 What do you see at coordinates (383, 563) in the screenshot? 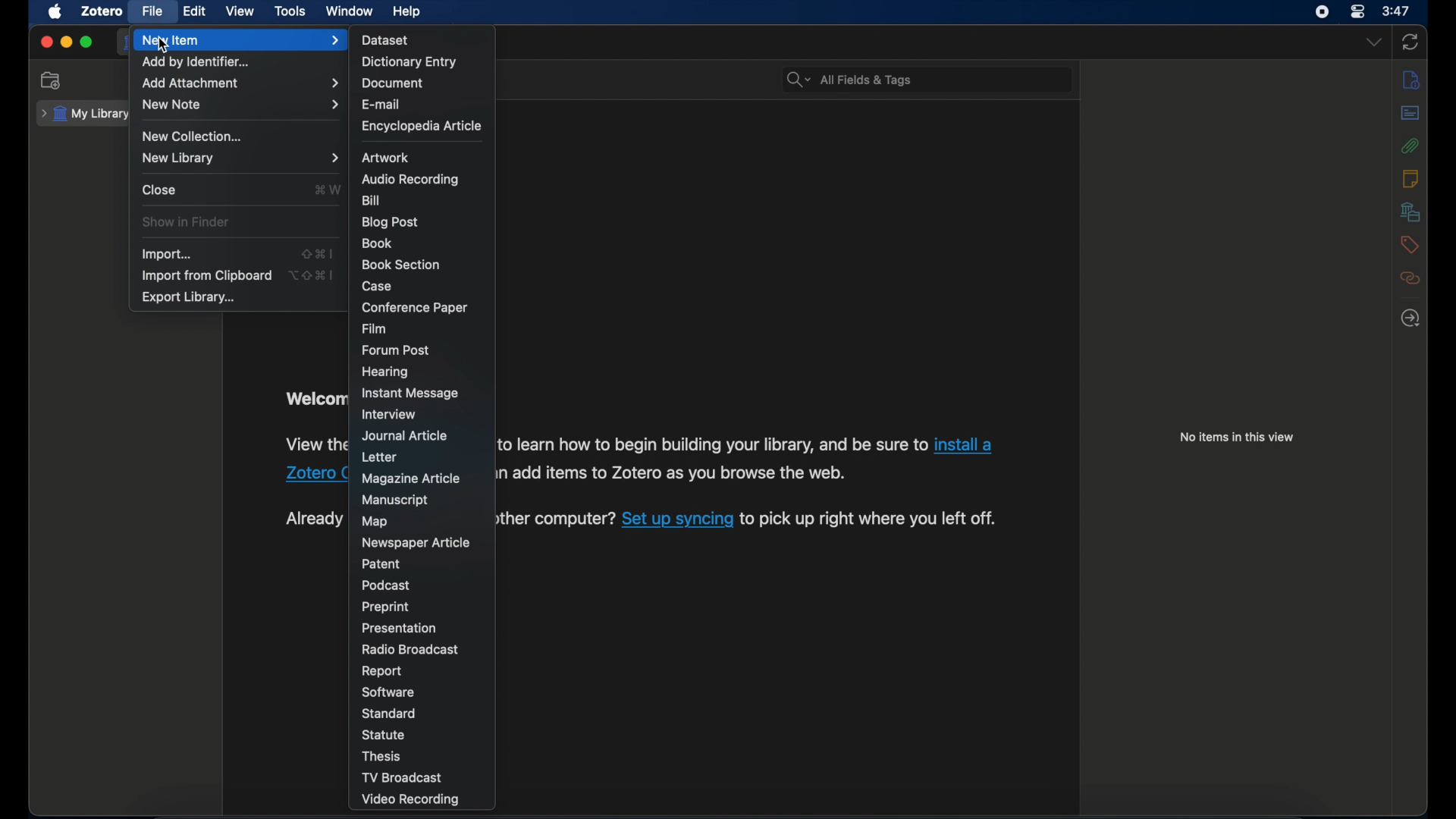
I see `patent` at bounding box center [383, 563].